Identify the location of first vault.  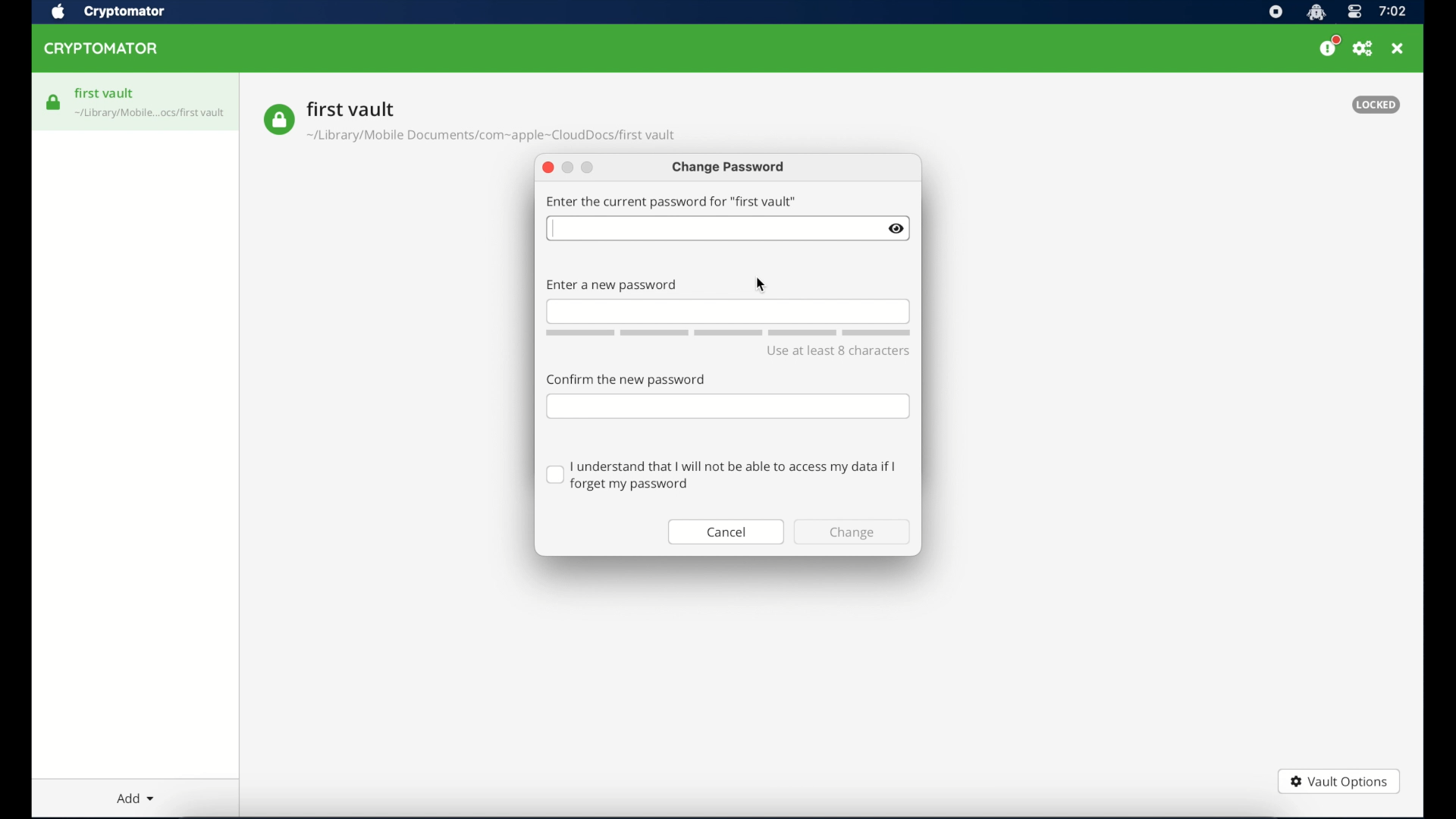
(105, 93).